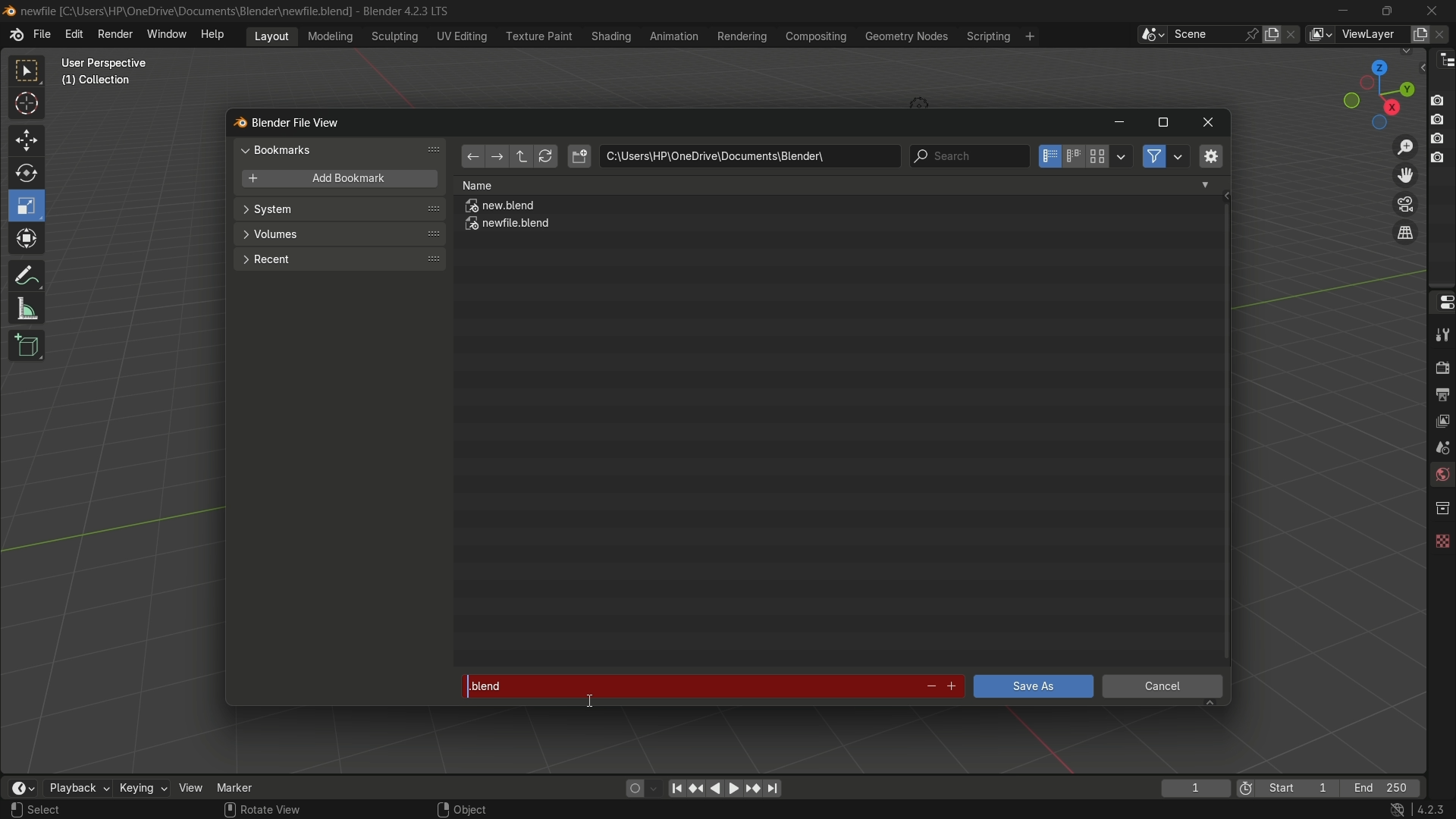 This screenshot has width=1456, height=819. Describe the element at coordinates (1293, 34) in the screenshot. I see `delete scene` at that location.